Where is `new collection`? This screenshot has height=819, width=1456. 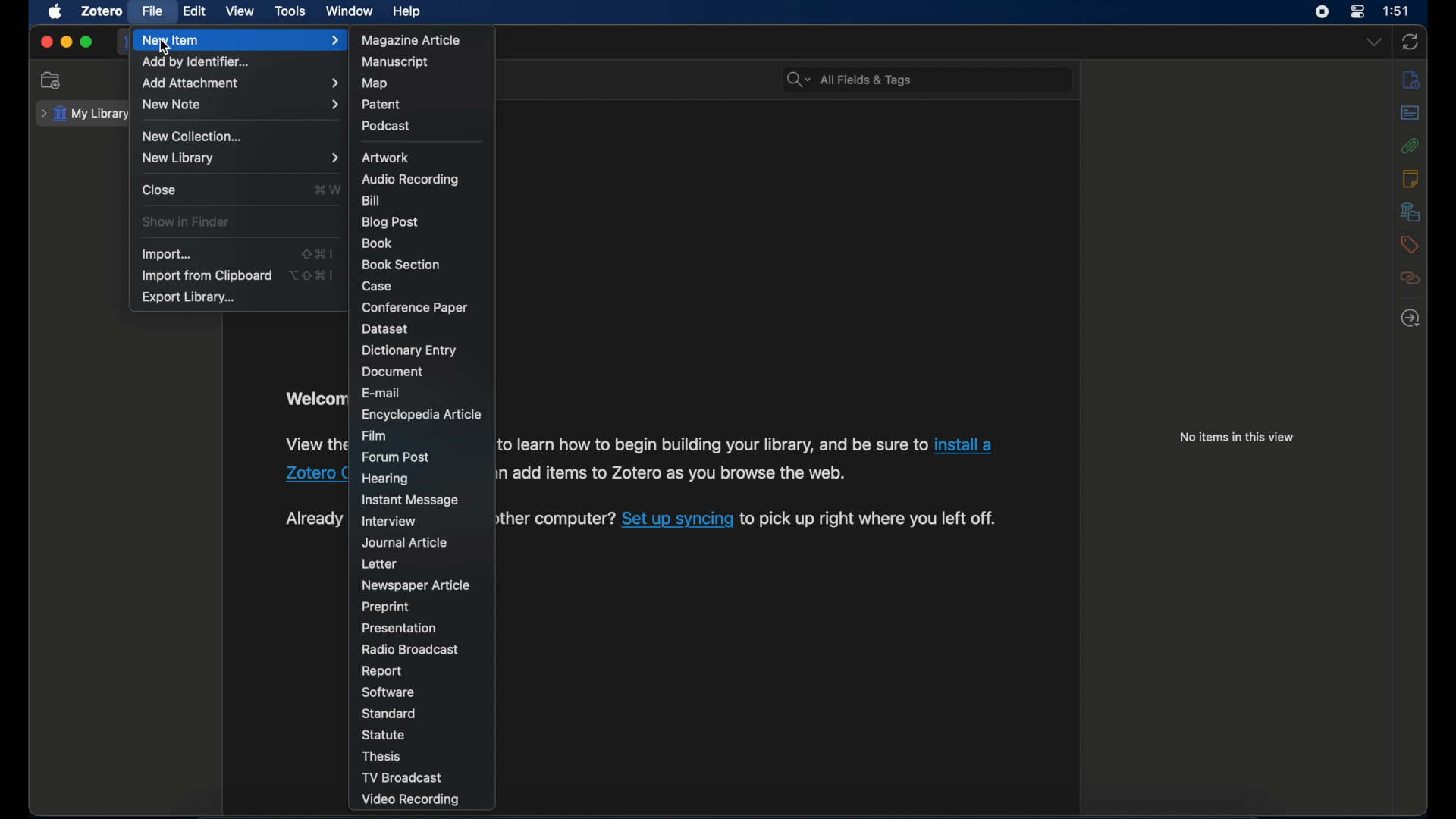
new collection is located at coordinates (51, 80).